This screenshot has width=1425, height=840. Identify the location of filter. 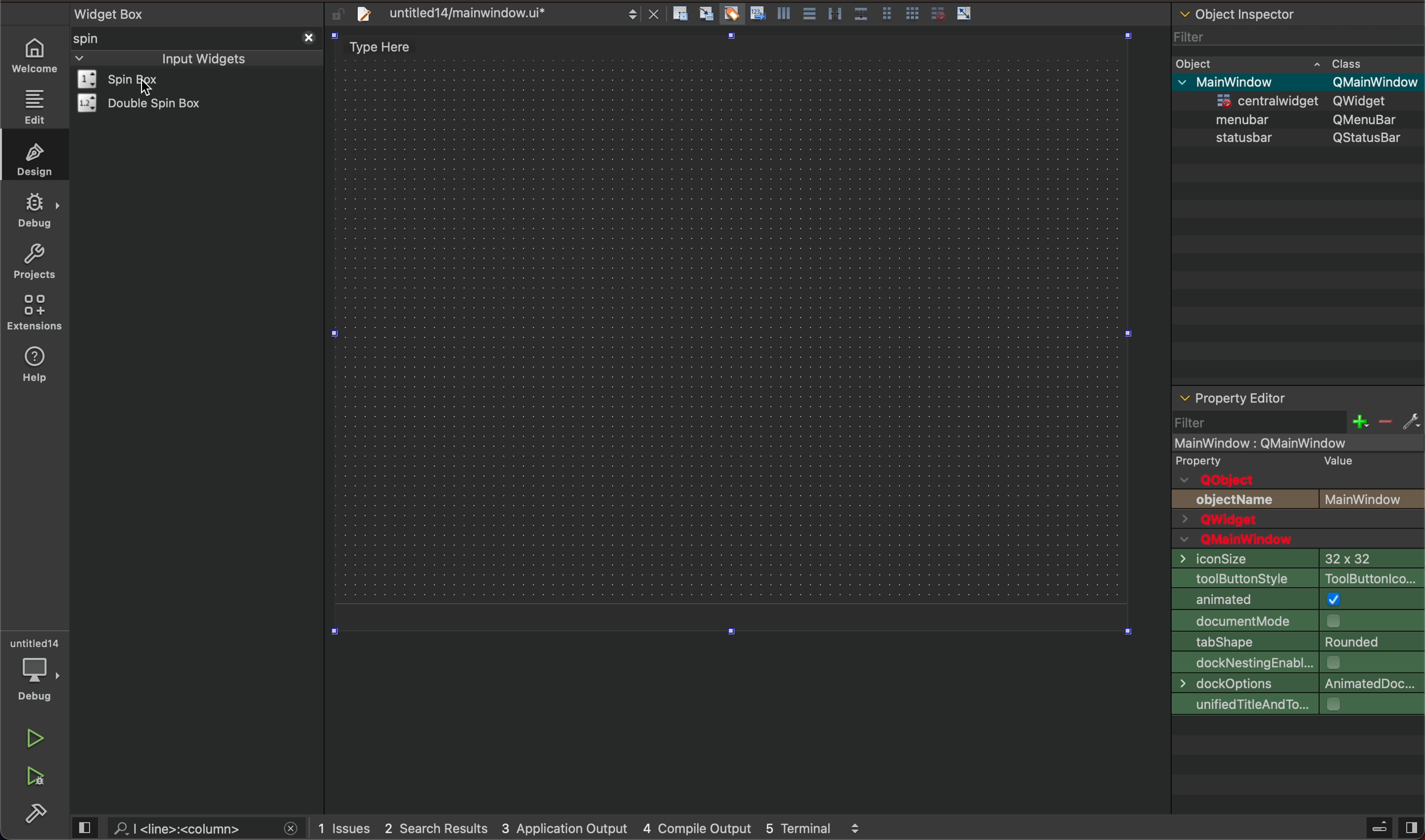
(1192, 33).